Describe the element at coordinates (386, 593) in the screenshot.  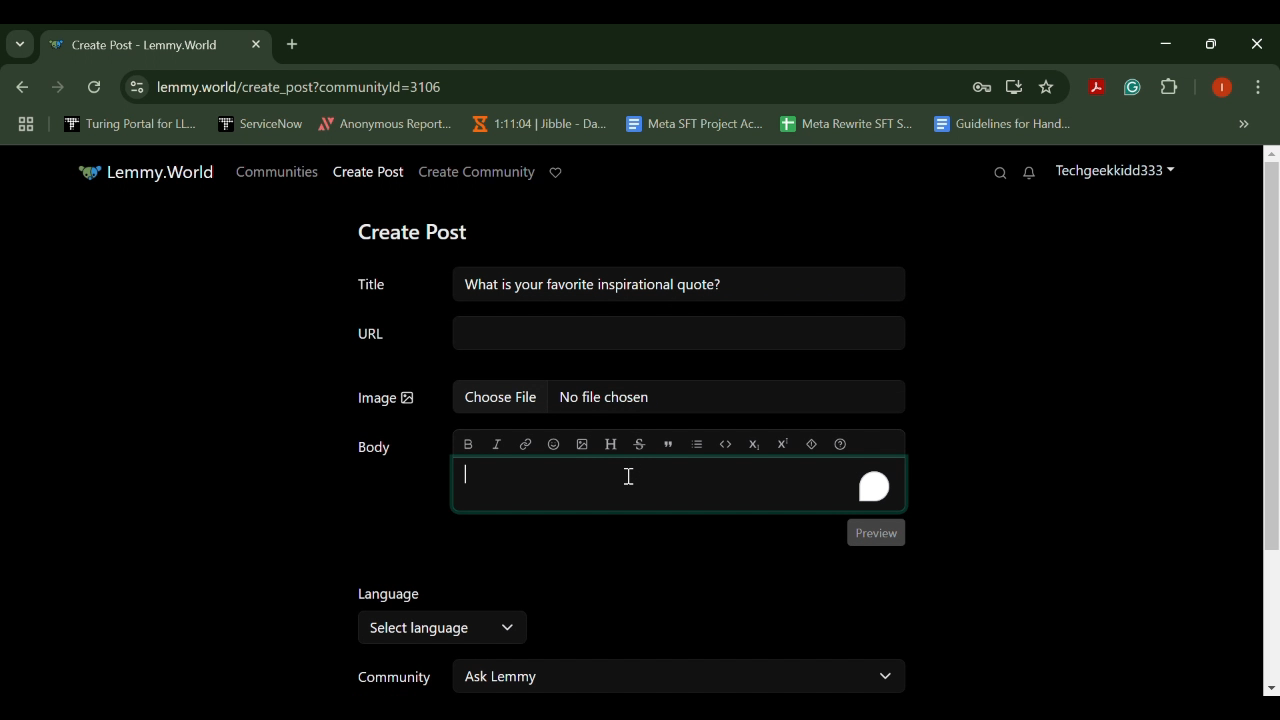
I see `Language` at that location.